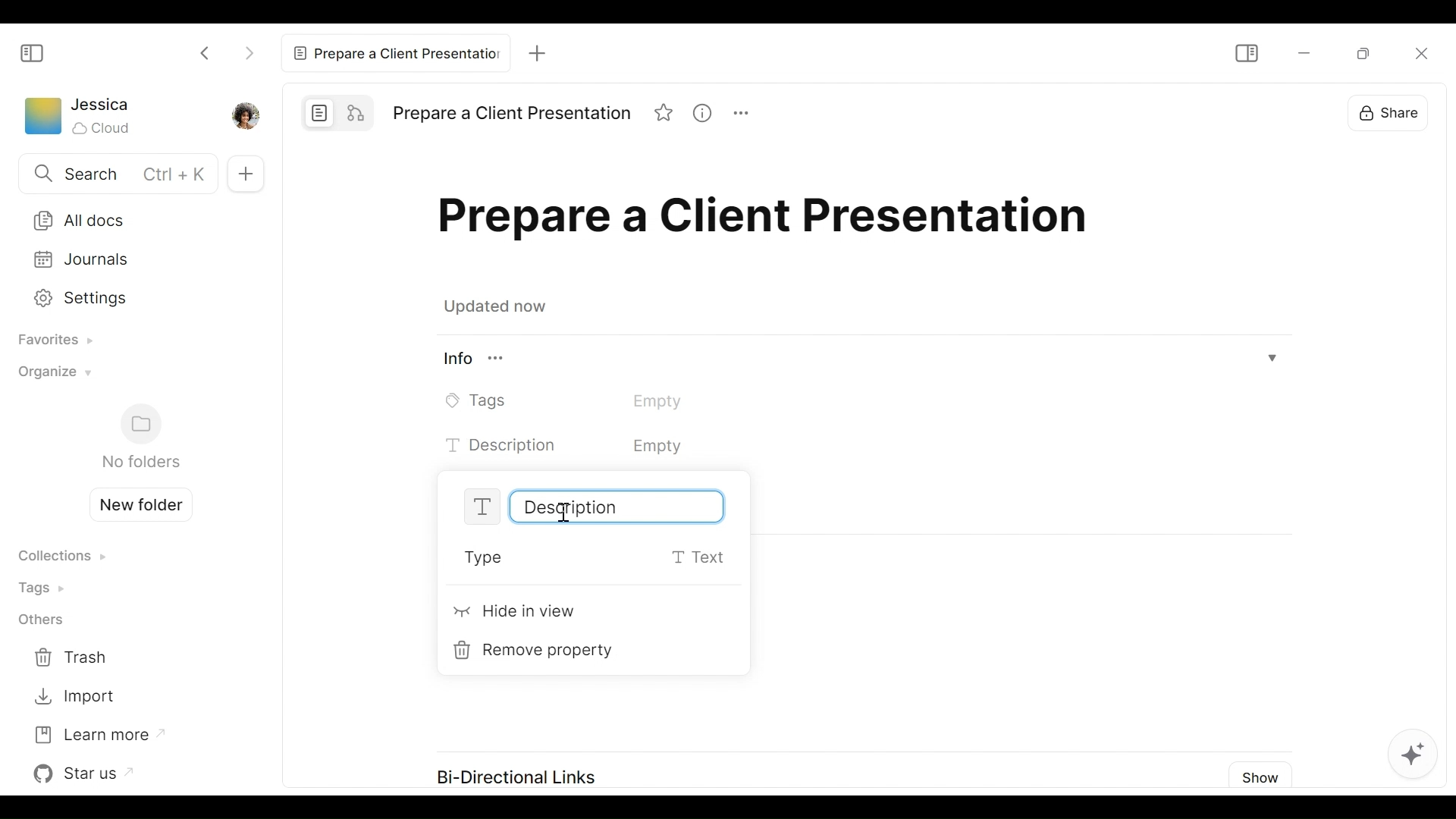  I want to click on Edgeless mode, so click(358, 111).